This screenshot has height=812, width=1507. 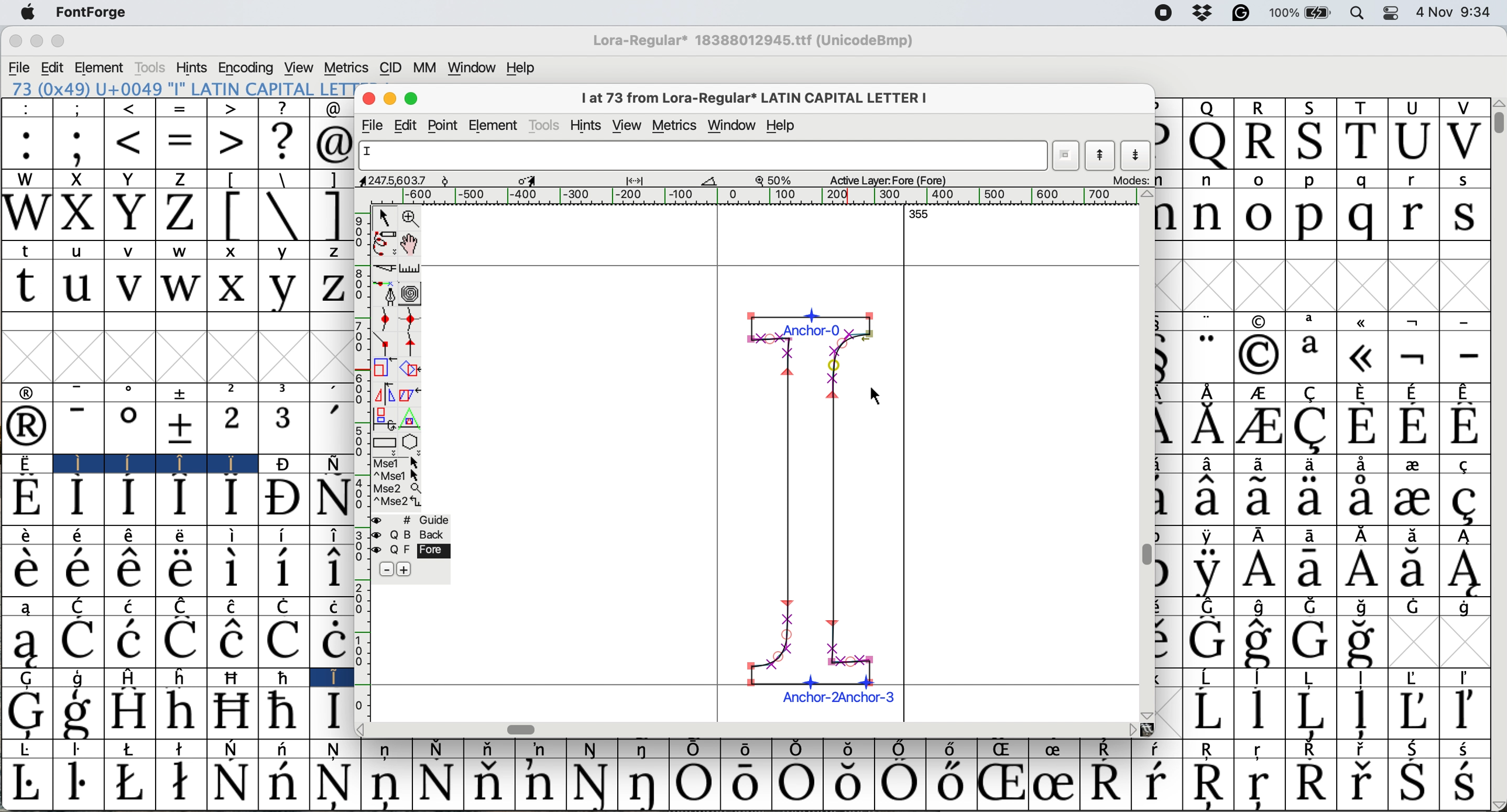 What do you see at coordinates (1361, 713) in the screenshot?
I see `Symbol` at bounding box center [1361, 713].